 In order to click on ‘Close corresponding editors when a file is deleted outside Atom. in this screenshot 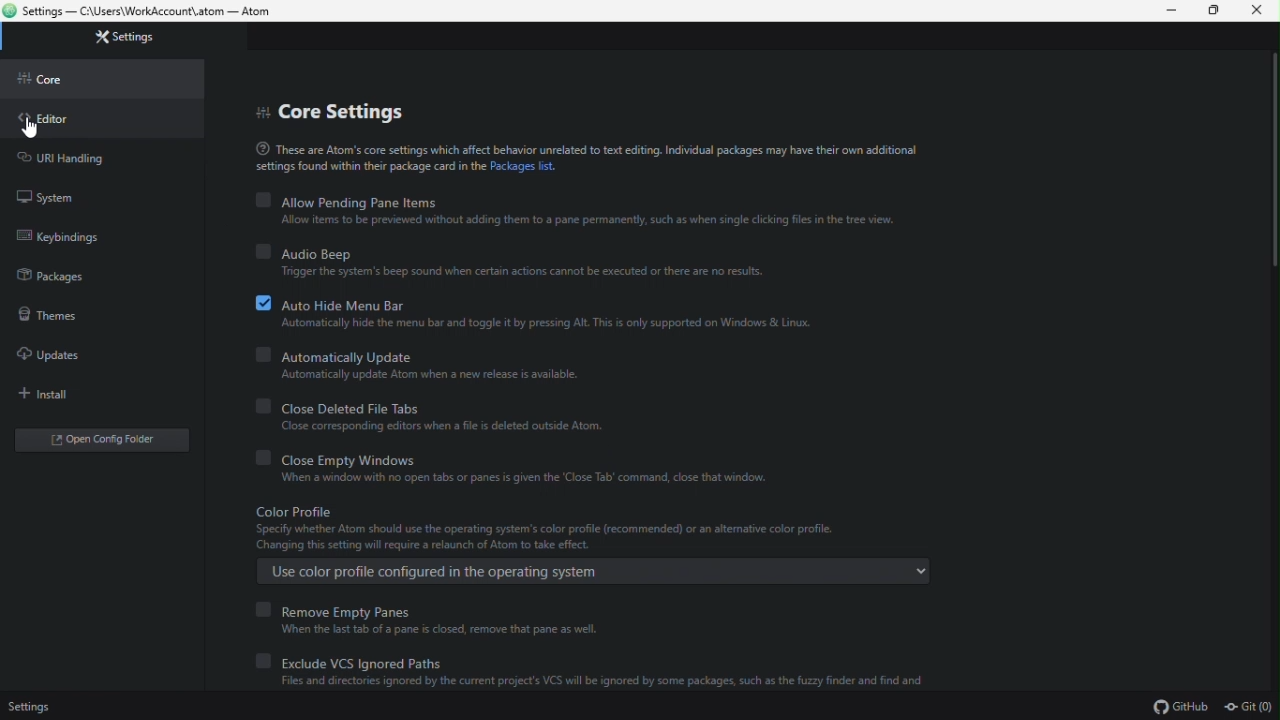, I will do `click(457, 427)`.